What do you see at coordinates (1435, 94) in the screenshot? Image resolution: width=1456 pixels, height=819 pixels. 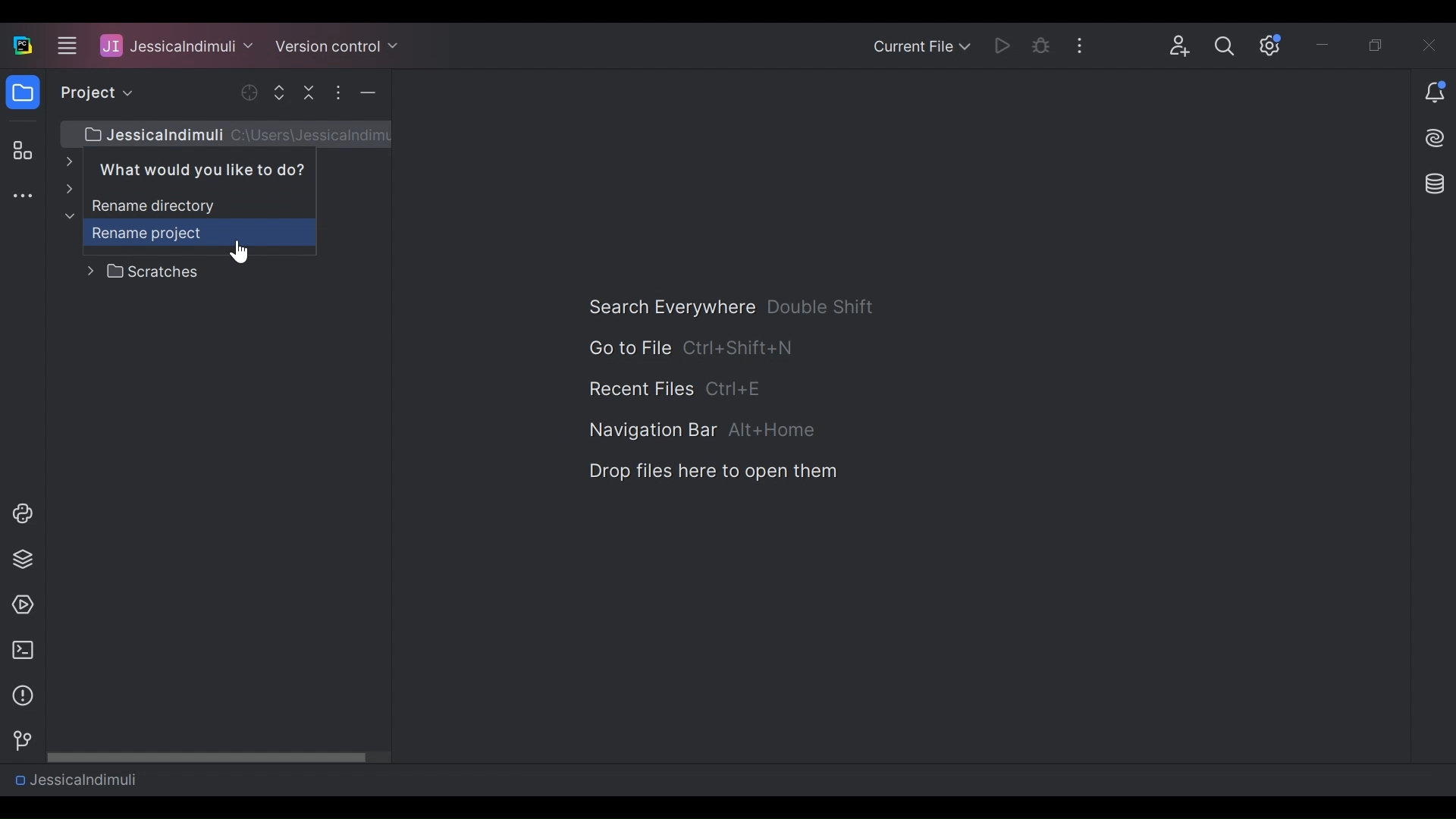 I see `Notification` at bounding box center [1435, 94].